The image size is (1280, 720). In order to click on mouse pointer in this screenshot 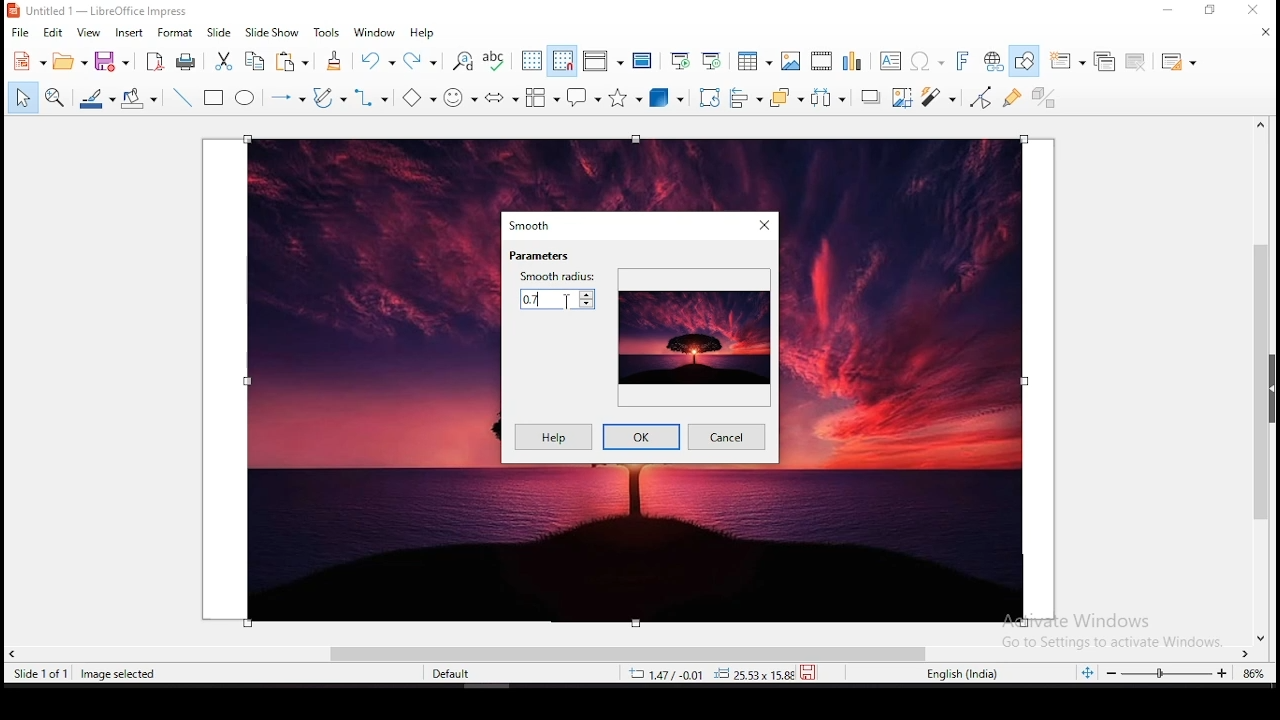, I will do `click(570, 301)`.